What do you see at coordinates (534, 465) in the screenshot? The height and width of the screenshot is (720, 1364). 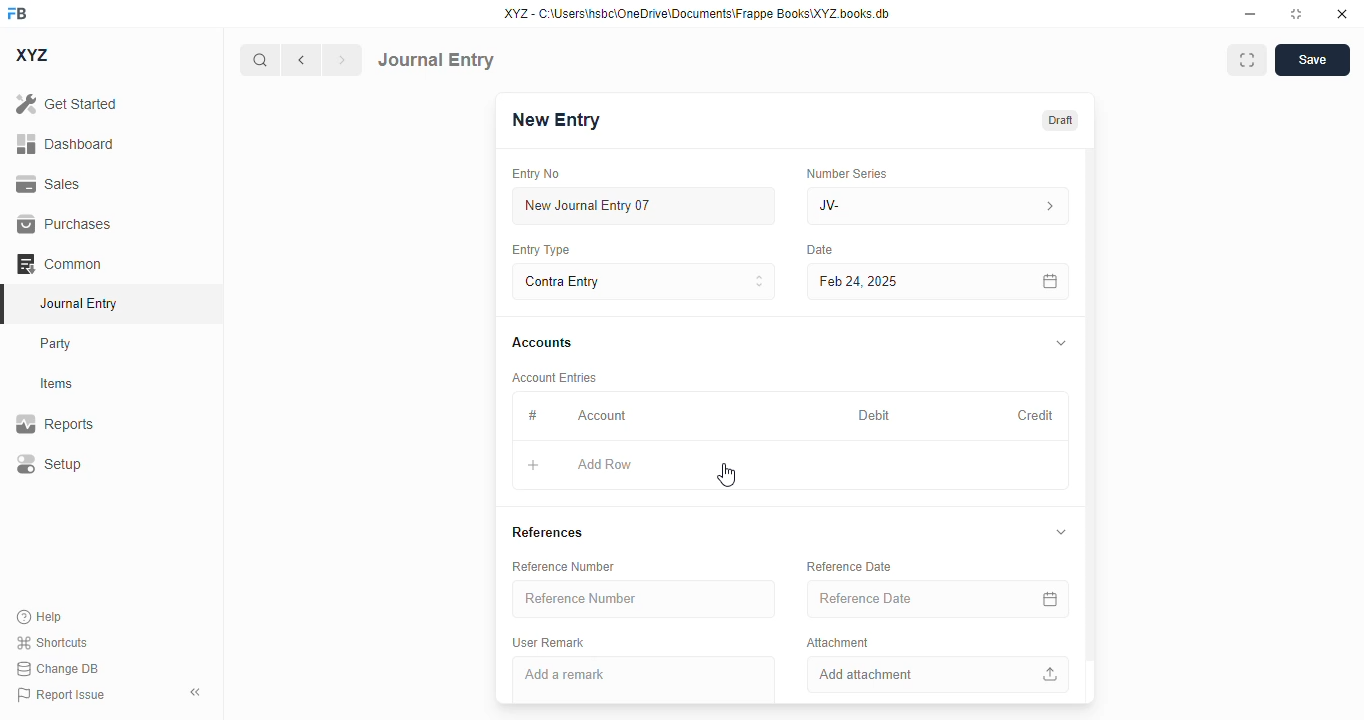 I see `add button` at bounding box center [534, 465].